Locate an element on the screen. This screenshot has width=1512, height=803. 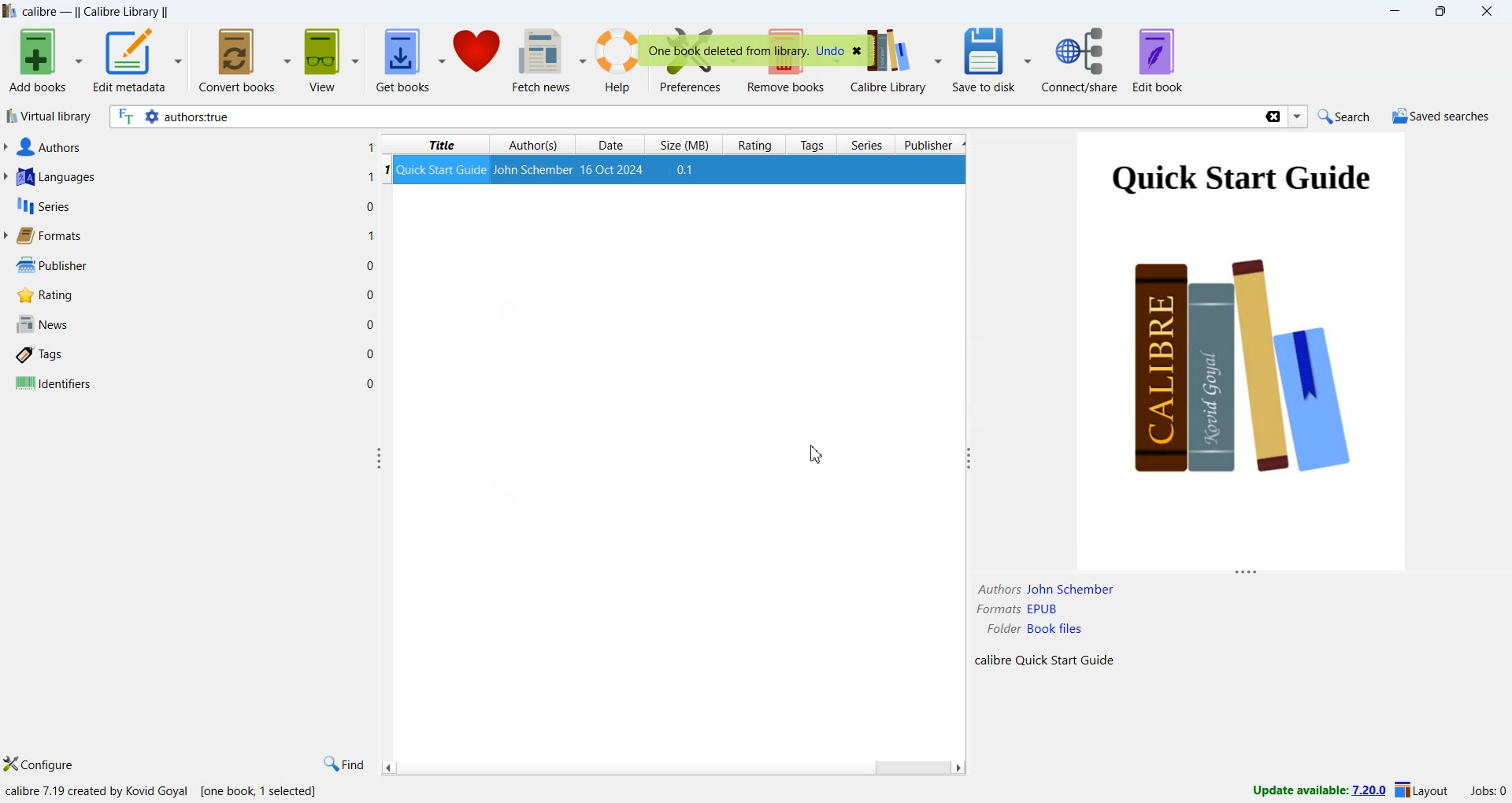
edit metadata is located at coordinates (138, 62).